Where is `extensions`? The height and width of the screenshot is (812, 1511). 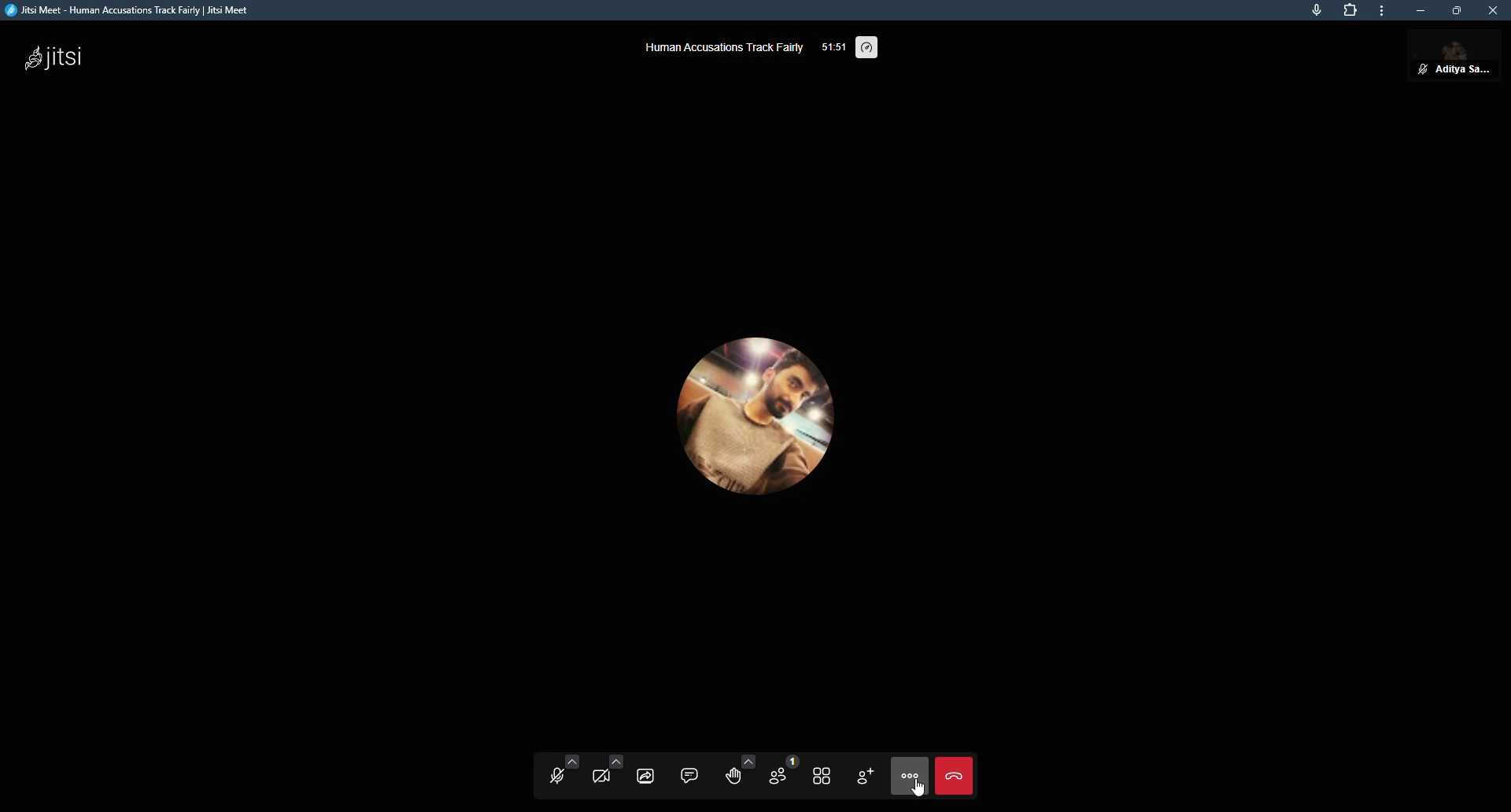
extensions is located at coordinates (1348, 12).